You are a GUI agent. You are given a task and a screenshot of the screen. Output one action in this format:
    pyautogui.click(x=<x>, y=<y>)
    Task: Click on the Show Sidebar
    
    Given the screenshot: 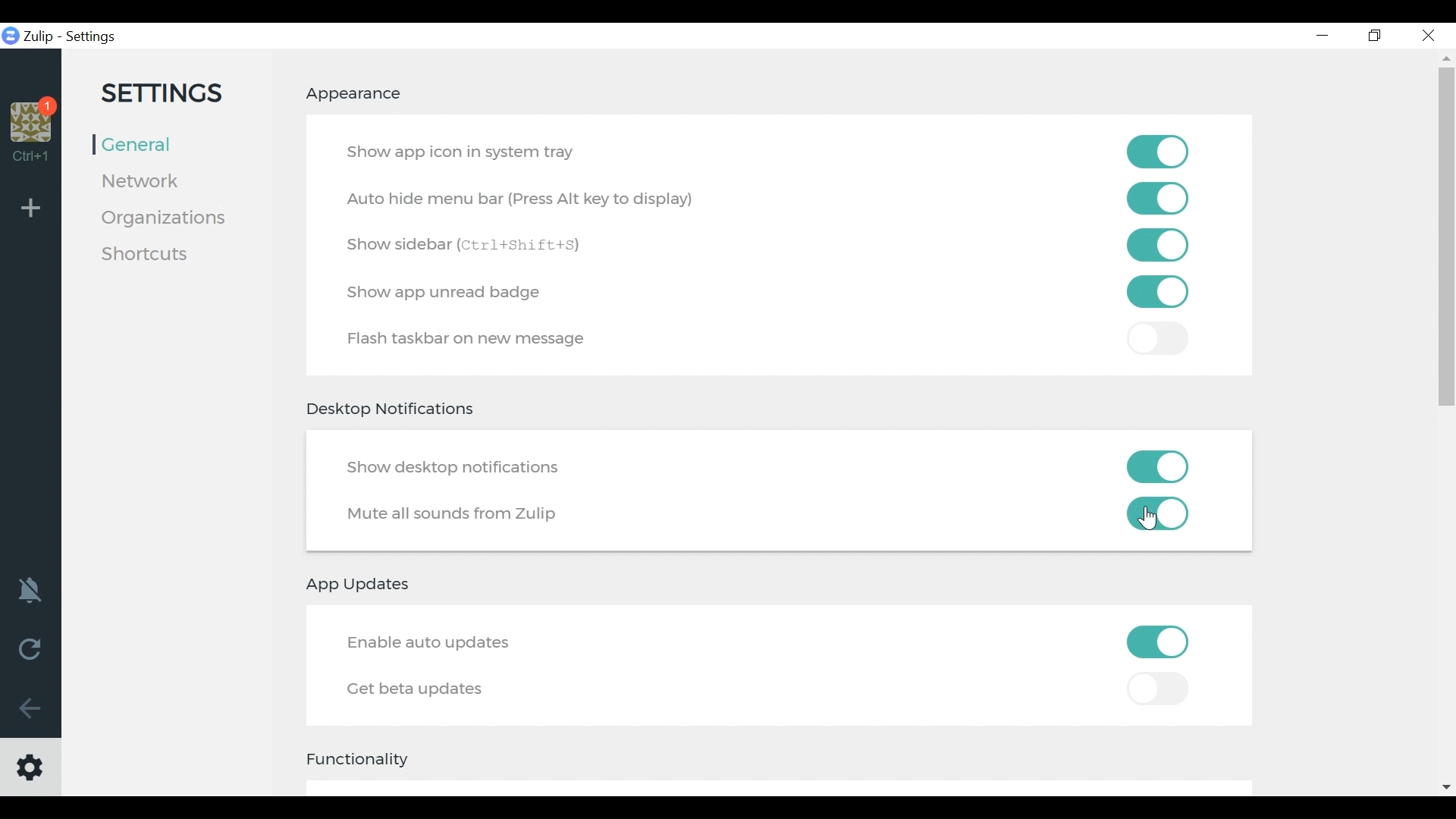 What is the action you would take?
    pyautogui.click(x=475, y=245)
    